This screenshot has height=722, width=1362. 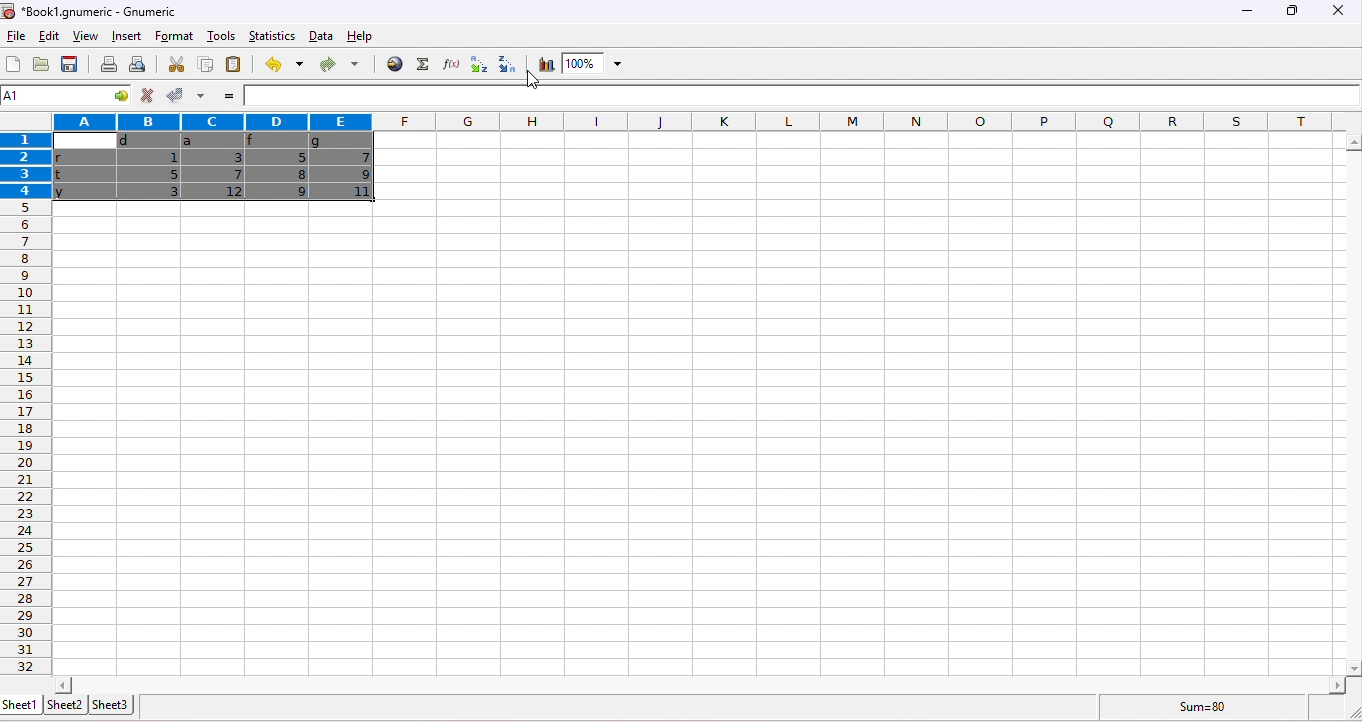 What do you see at coordinates (221, 35) in the screenshot?
I see `tools` at bounding box center [221, 35].